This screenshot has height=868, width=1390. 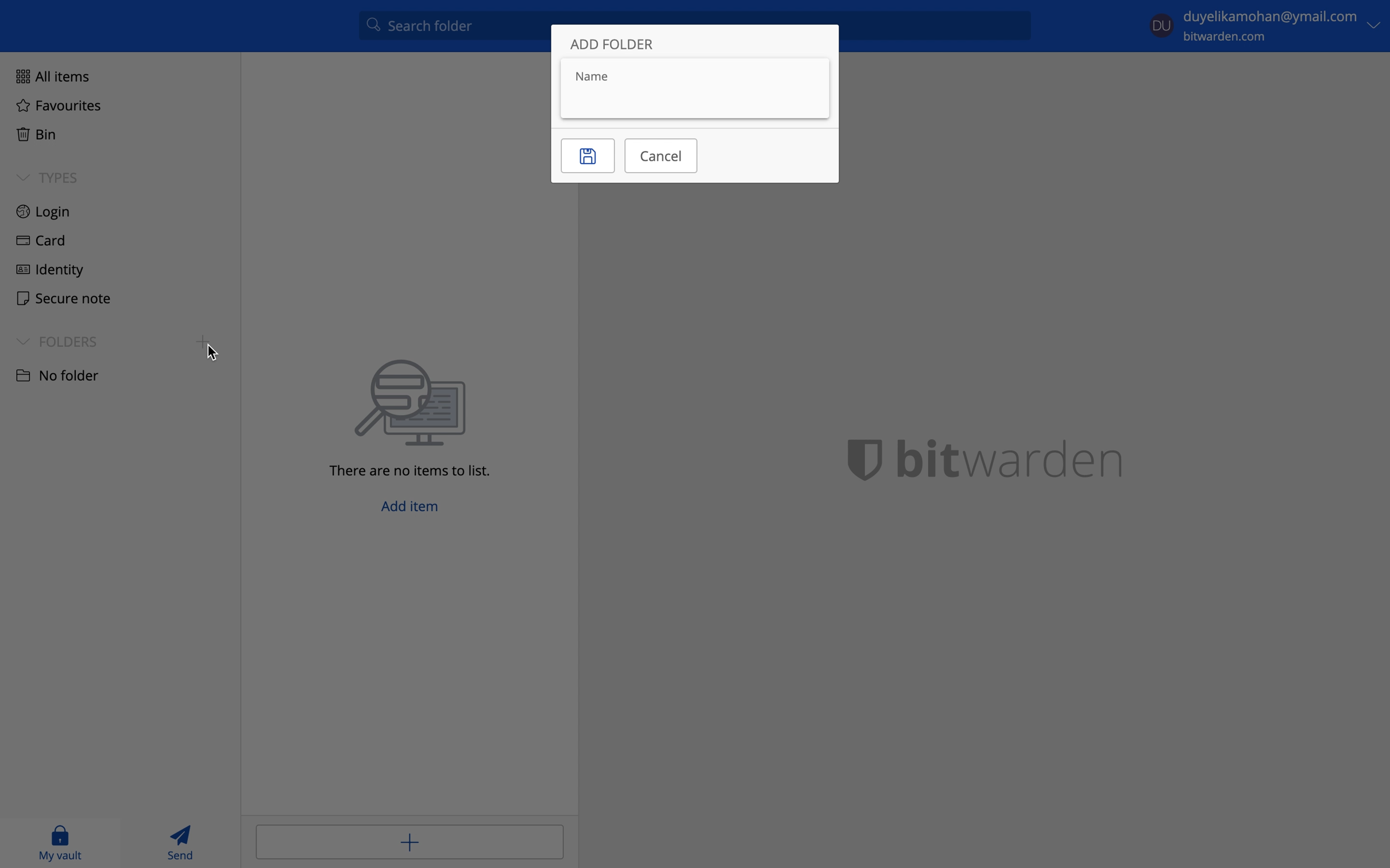 I want to click on my vault, so click(x=60, y=842).